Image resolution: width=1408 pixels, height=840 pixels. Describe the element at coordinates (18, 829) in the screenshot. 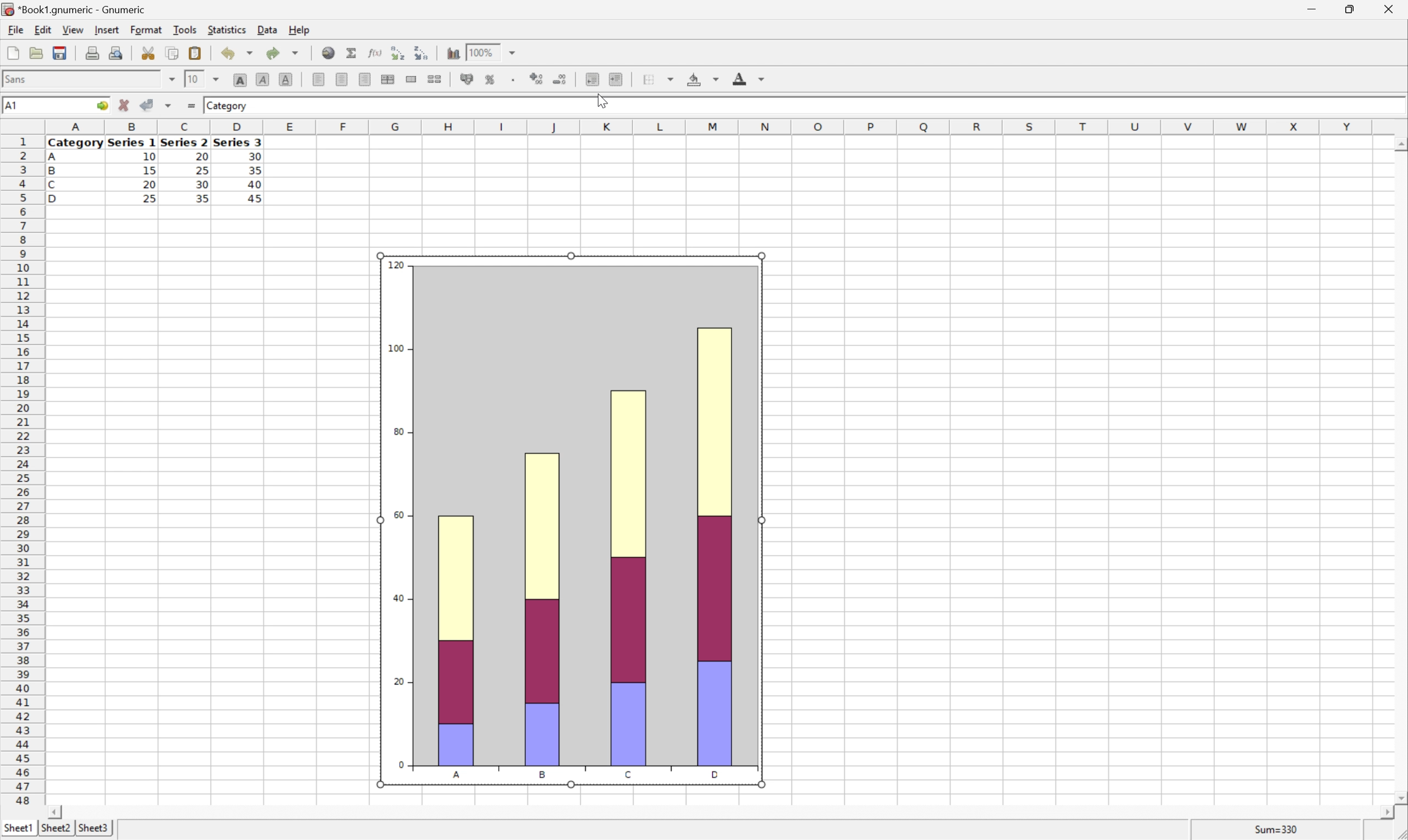

I see `Sheet1` at that location.